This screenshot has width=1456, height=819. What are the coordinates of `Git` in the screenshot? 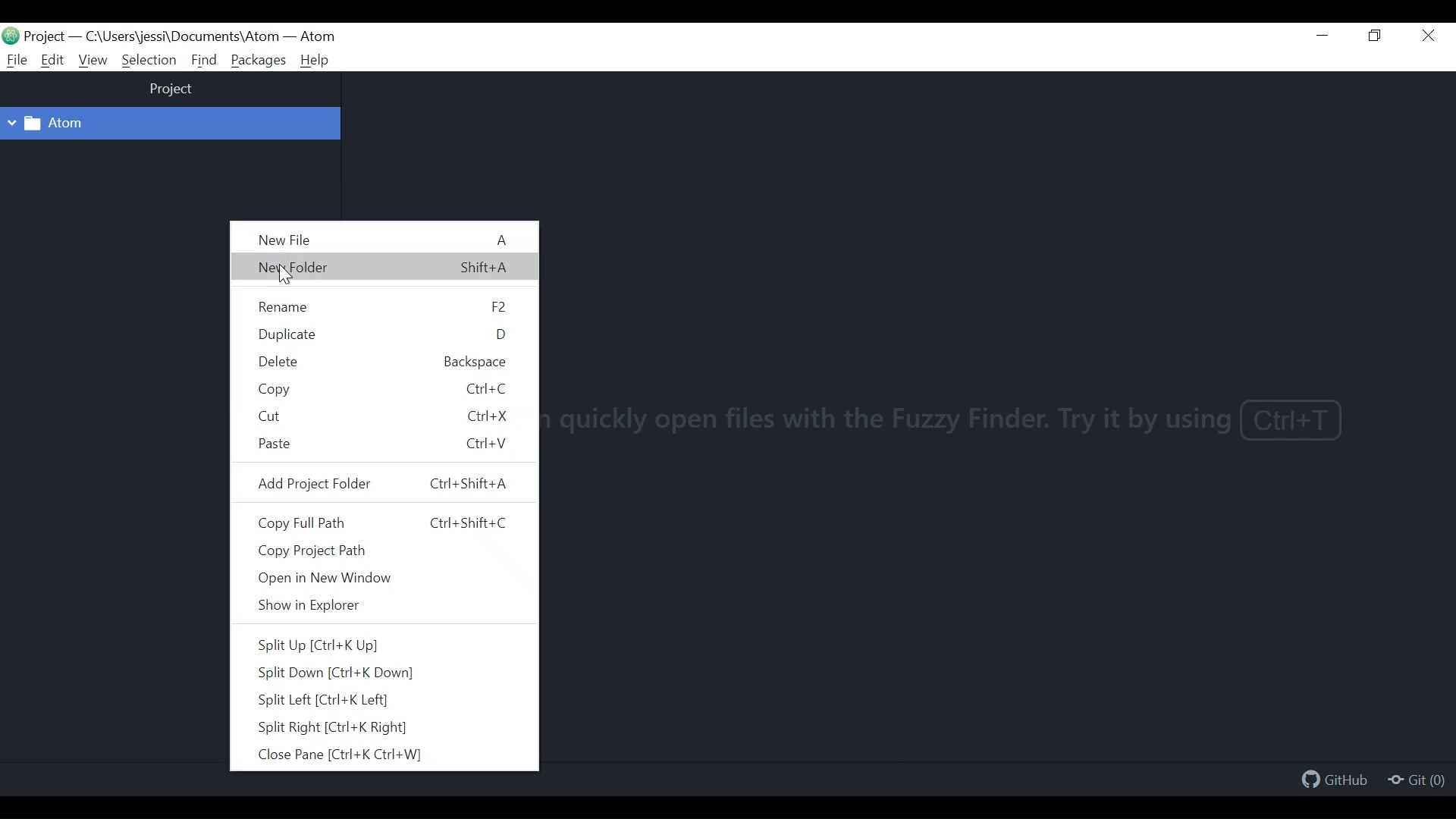 It's located at (1416, 781).